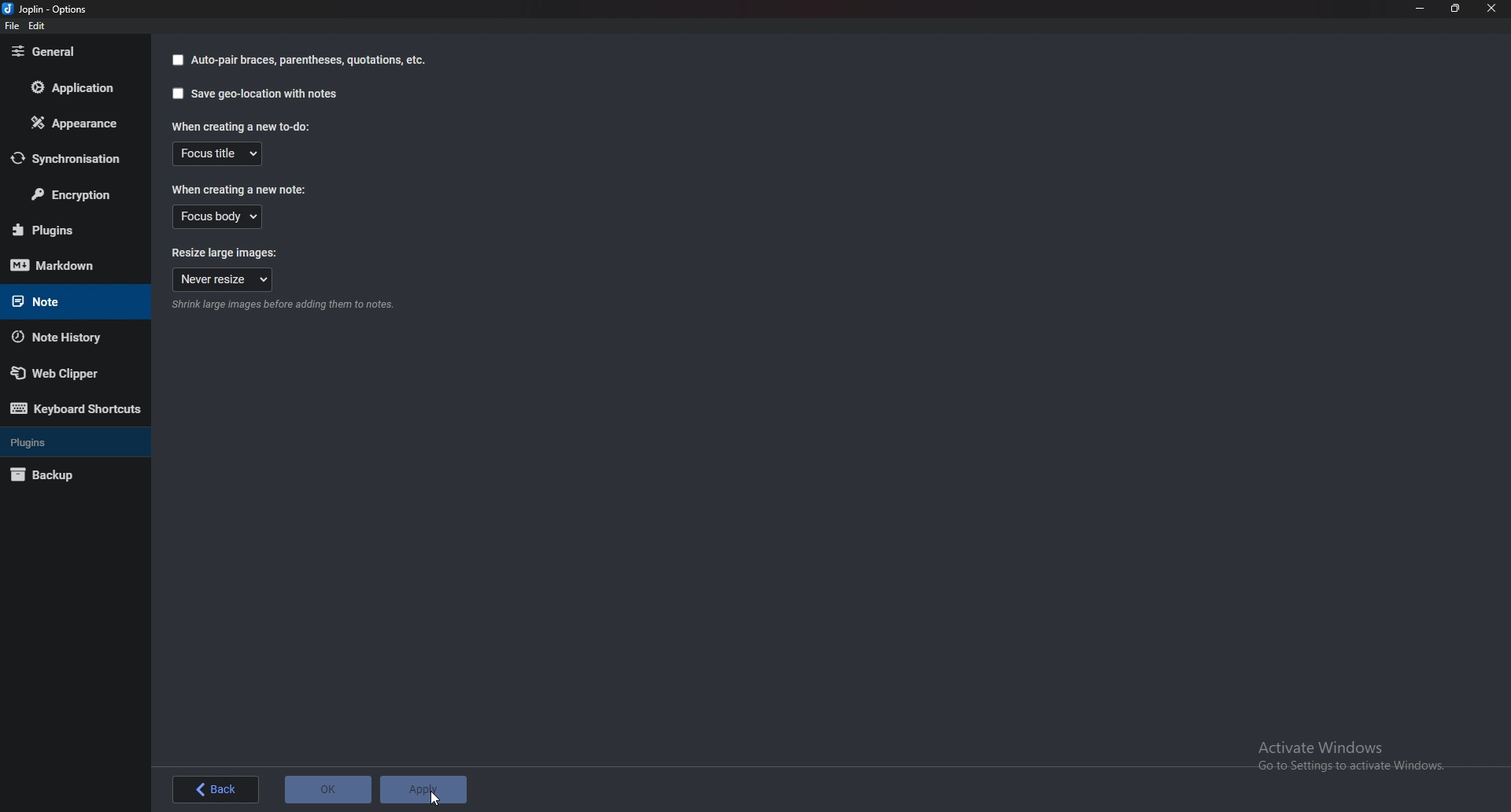 The width and height of the screenshot is (1511, 812). What do you see at coordinates (70, 50) in the screenshot?
I see `general` at bounding box center [70, 50].